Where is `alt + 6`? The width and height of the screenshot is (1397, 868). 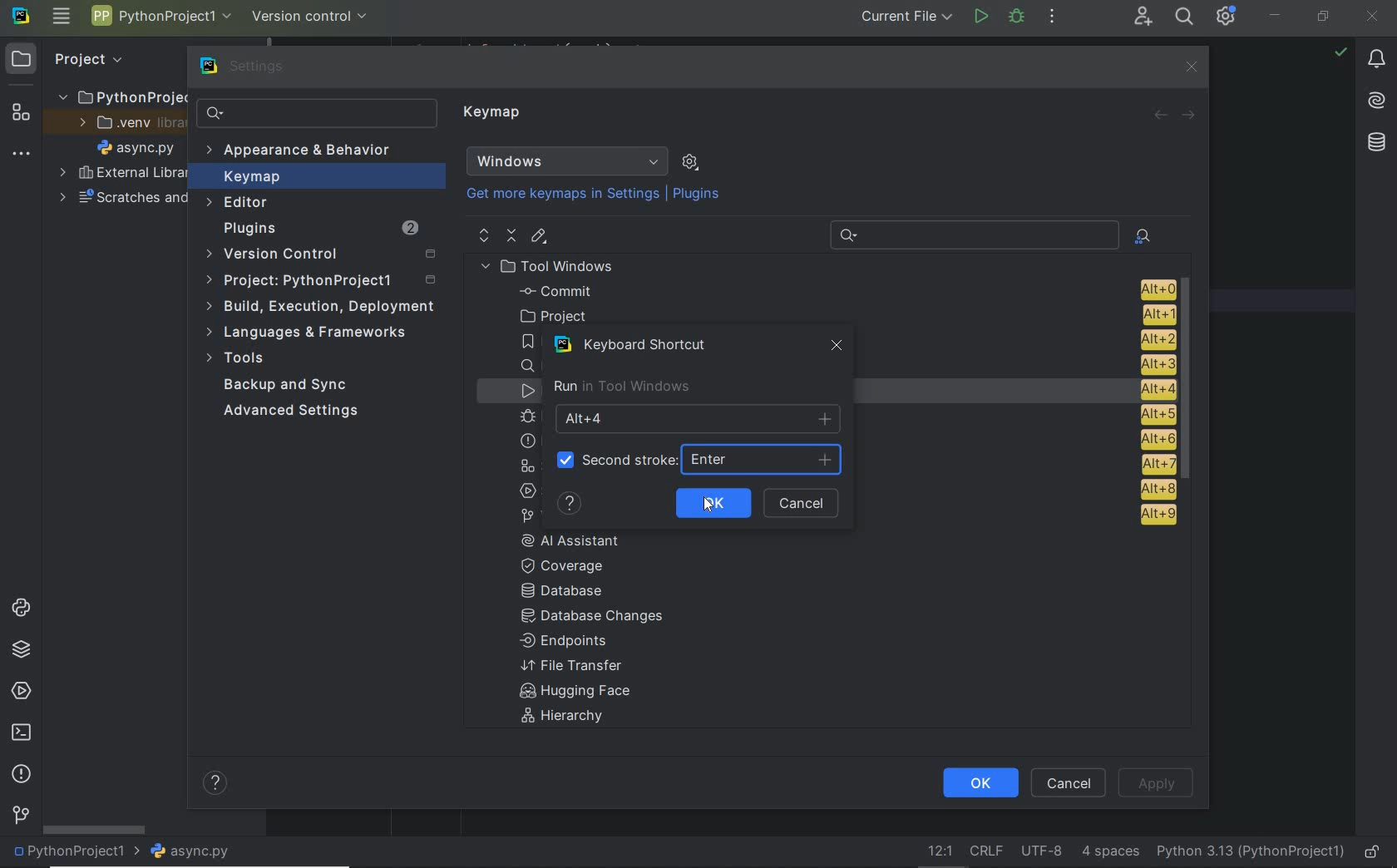
alt + 6 is located at coordinates (1156, 440).